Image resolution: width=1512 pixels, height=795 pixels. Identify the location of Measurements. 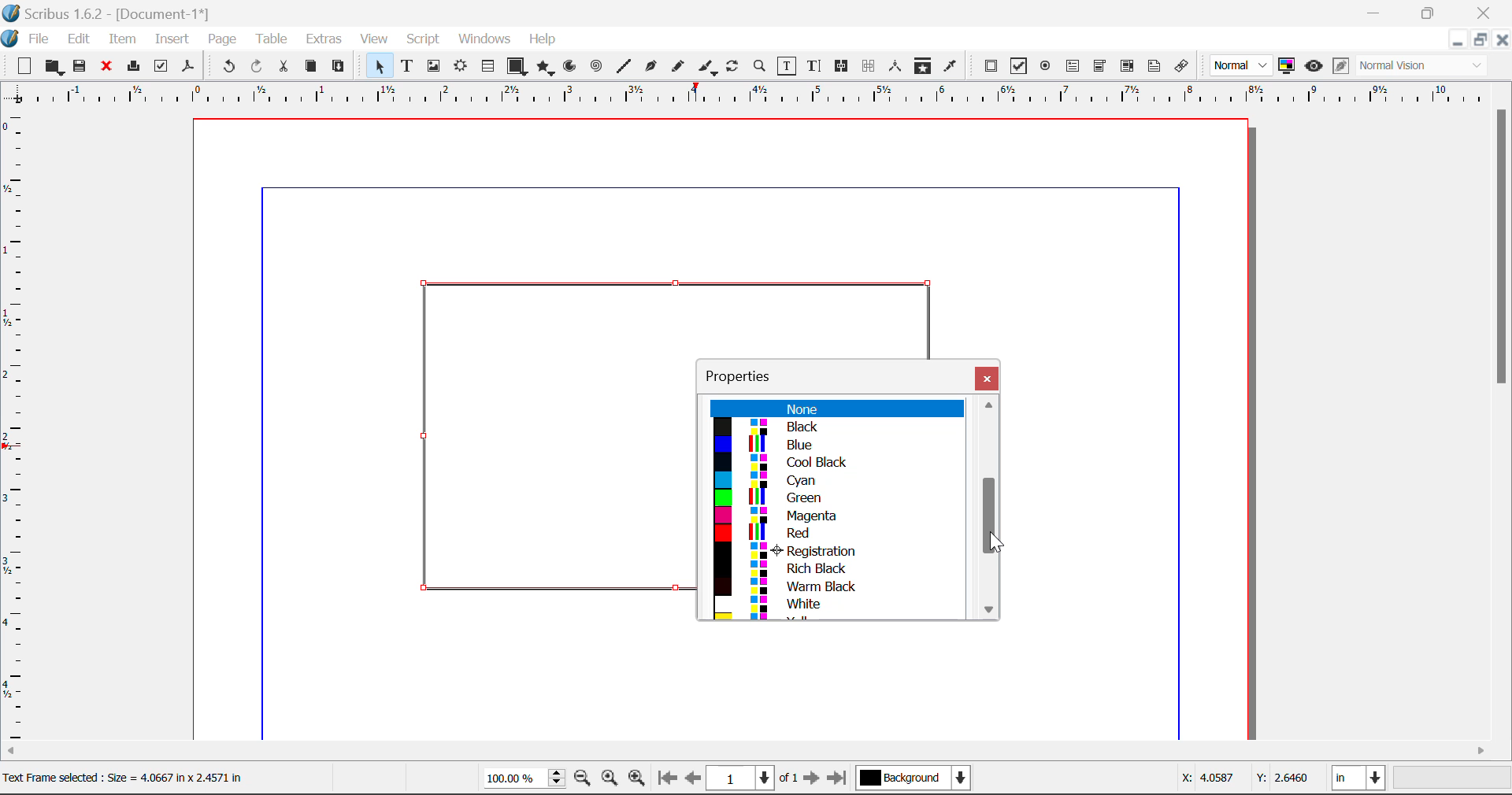
(898, 66).